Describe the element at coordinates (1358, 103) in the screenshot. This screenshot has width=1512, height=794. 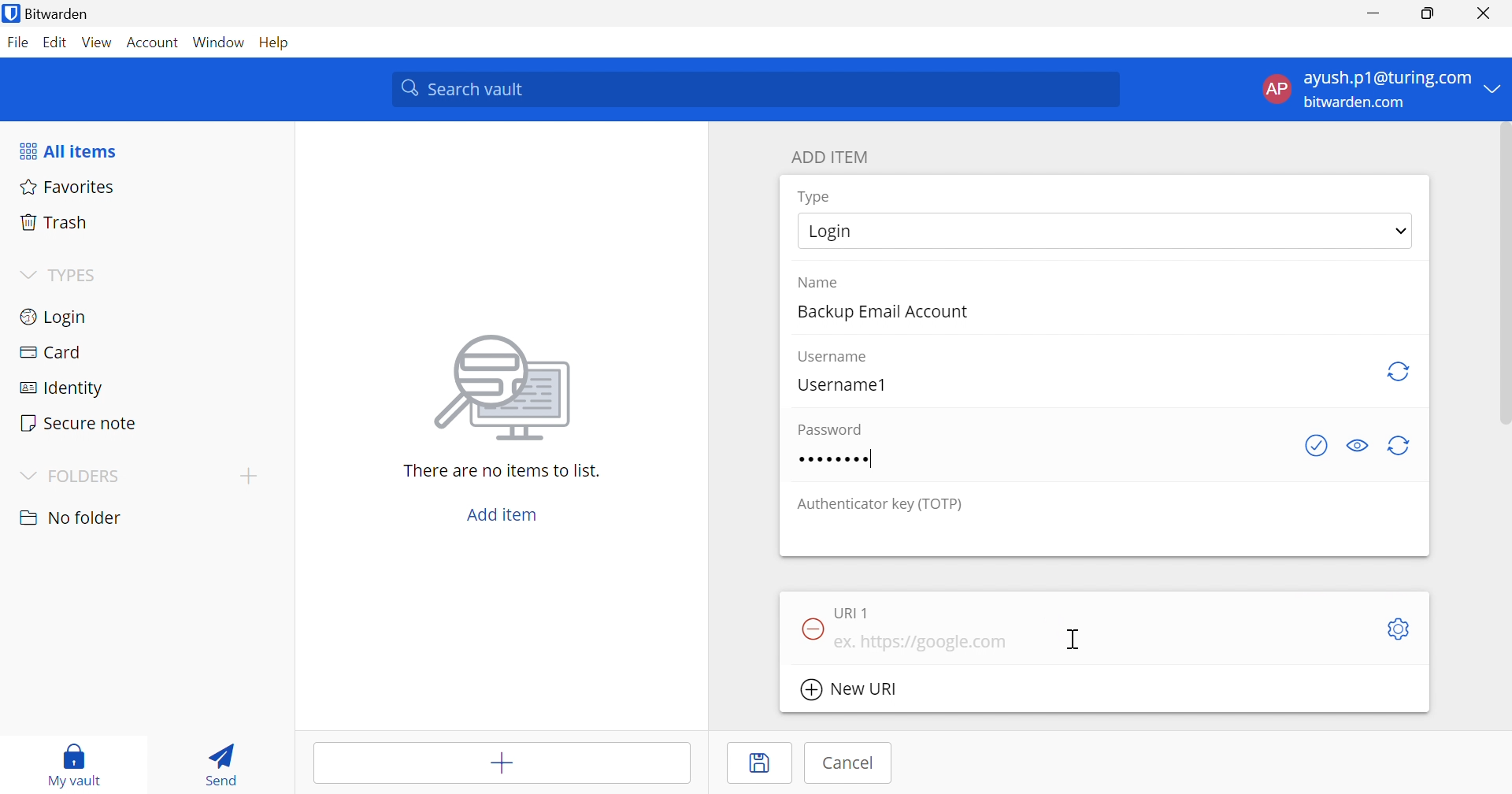
I see `bitwarden.com` at that location.